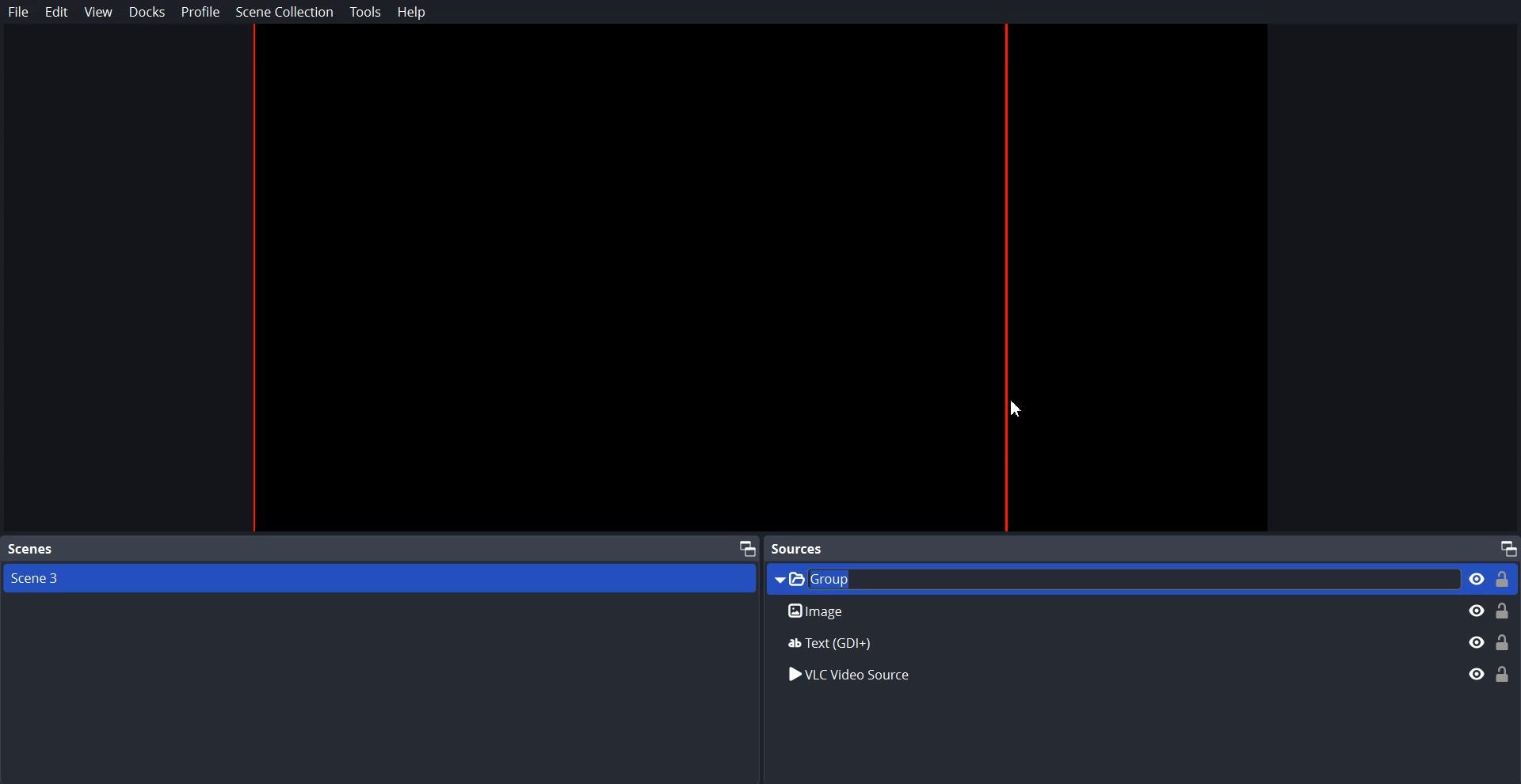 Image resolution: width=1521 pixels, height=784 pixels. What do you see at coordinates (1020, 409) in the screenshot?
I see `Cursor` at bounding box center [1020, 409].